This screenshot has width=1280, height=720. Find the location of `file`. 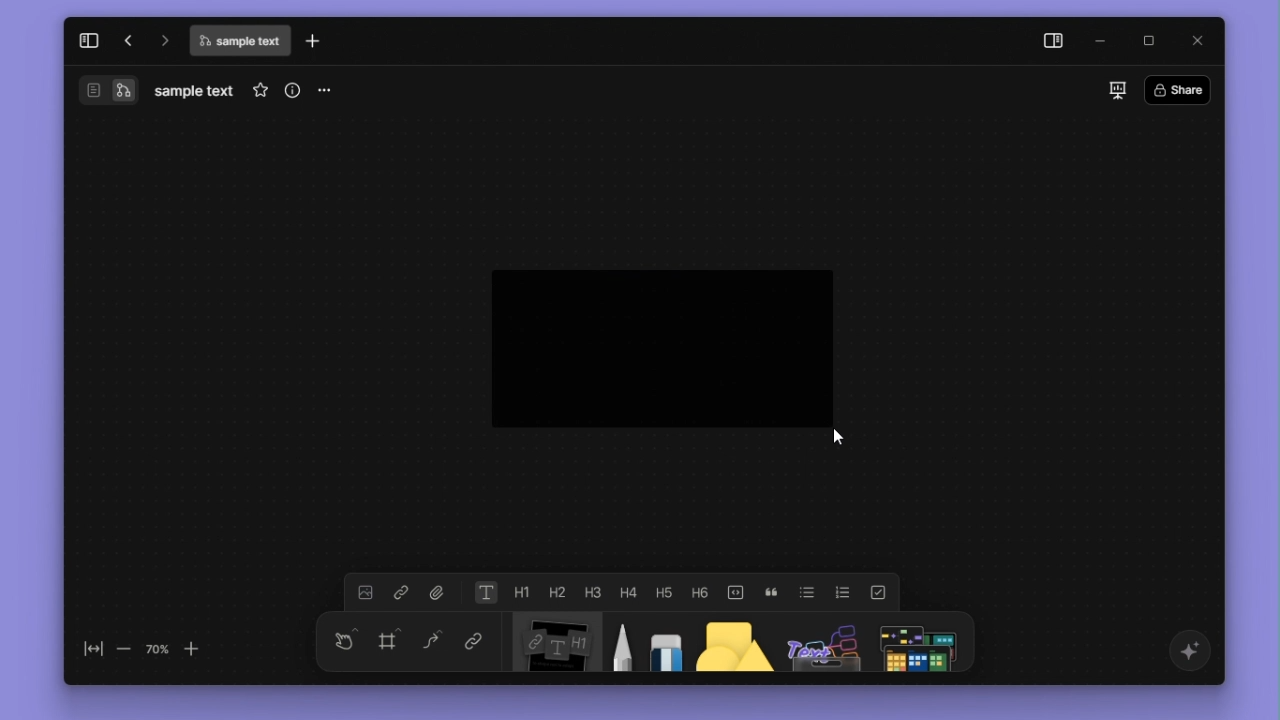

file is located at coordinates (437, 592).